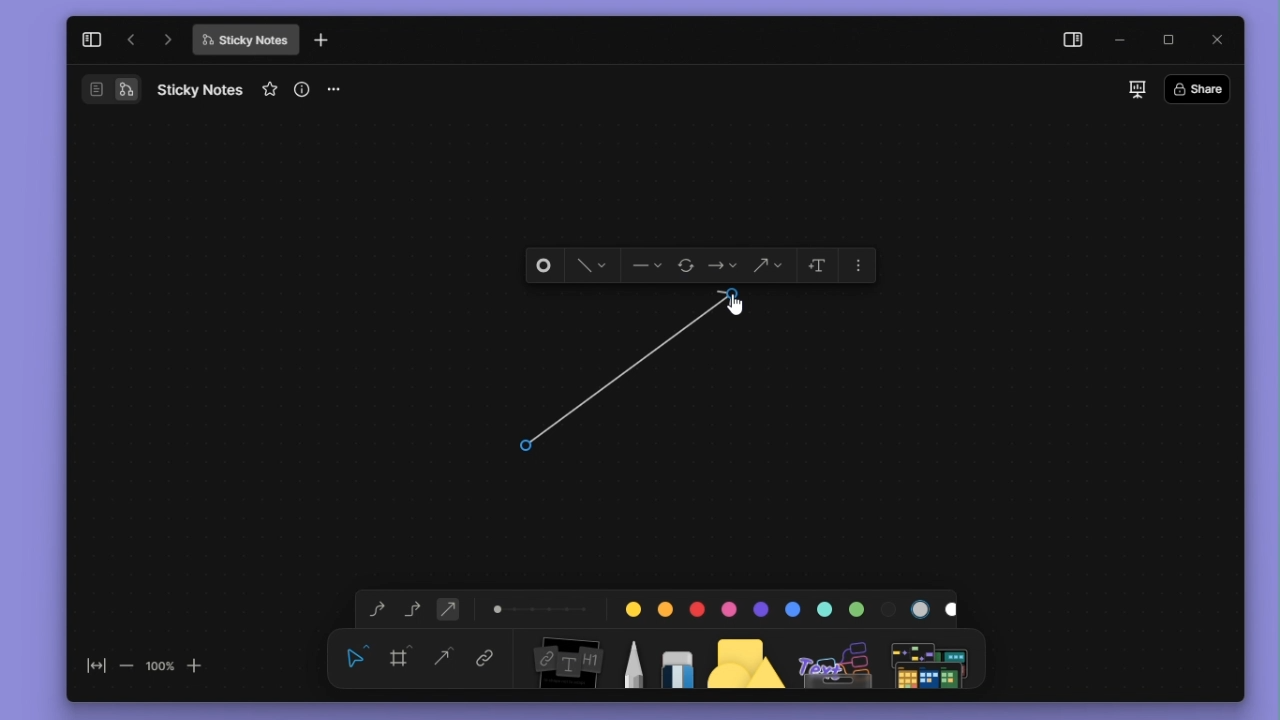 The height and width of the screenshot is (720, 1280). Describe the element at coordinates (356, 656) in the screenshot. I see `select` at that location.